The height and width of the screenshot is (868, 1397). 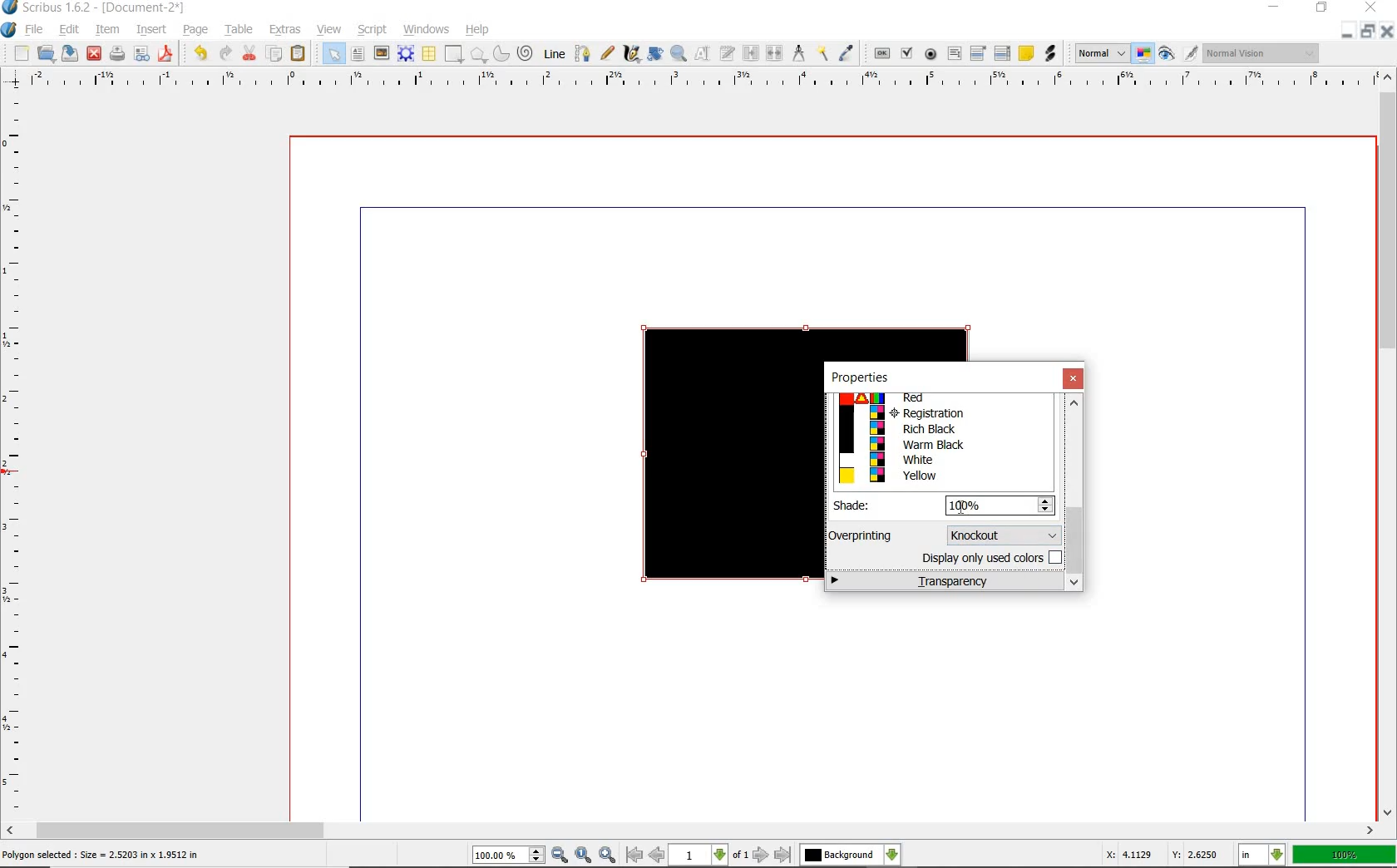 I want to click on Shade:, so click(x=863, y=506).